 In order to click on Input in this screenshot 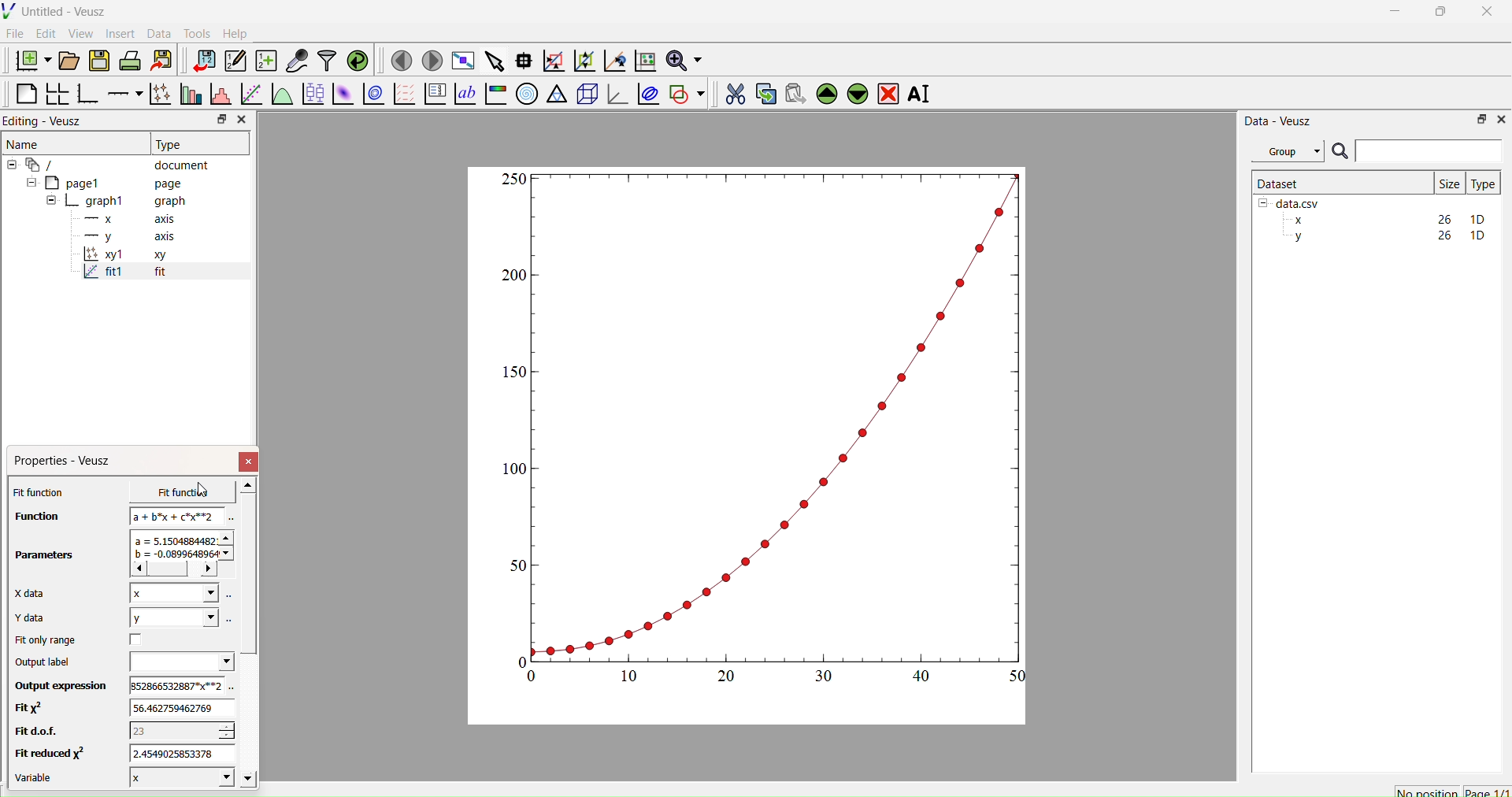, I will do `click(1429, 150)`.